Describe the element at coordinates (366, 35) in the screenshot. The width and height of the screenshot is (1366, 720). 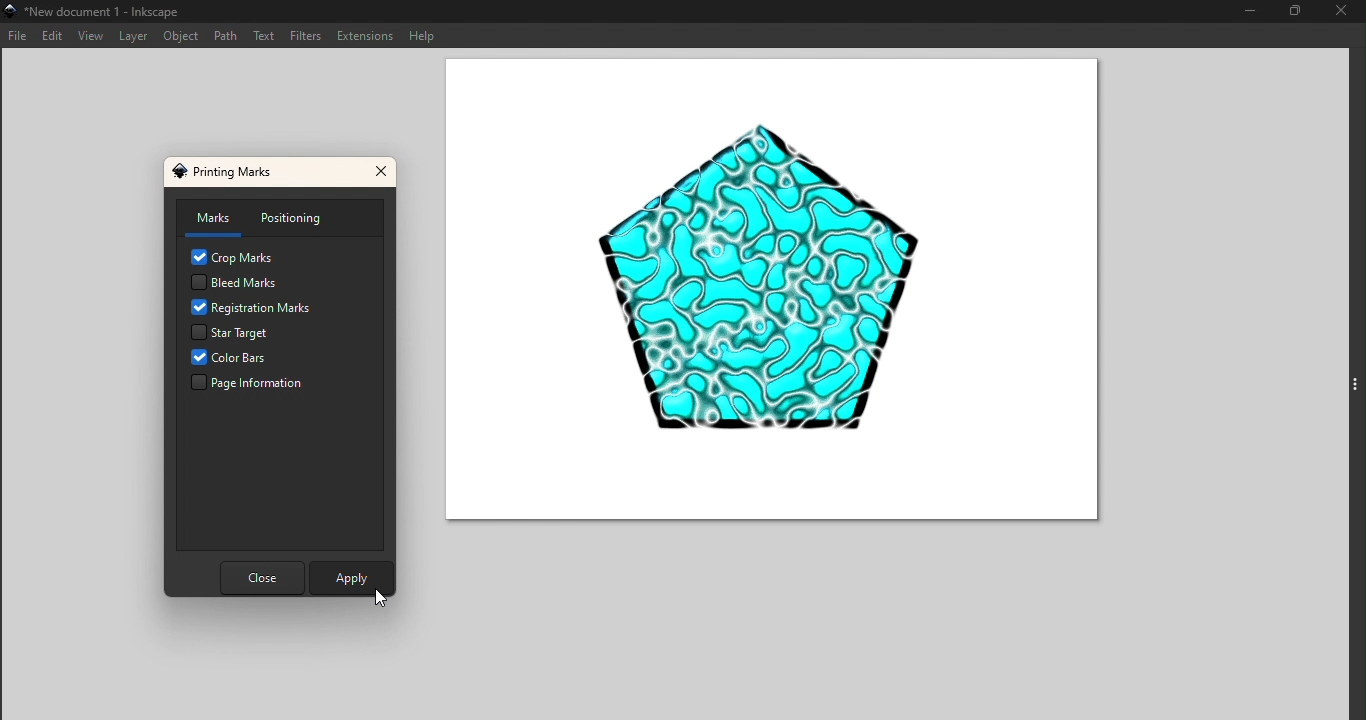
I see `Extensions` at that location.